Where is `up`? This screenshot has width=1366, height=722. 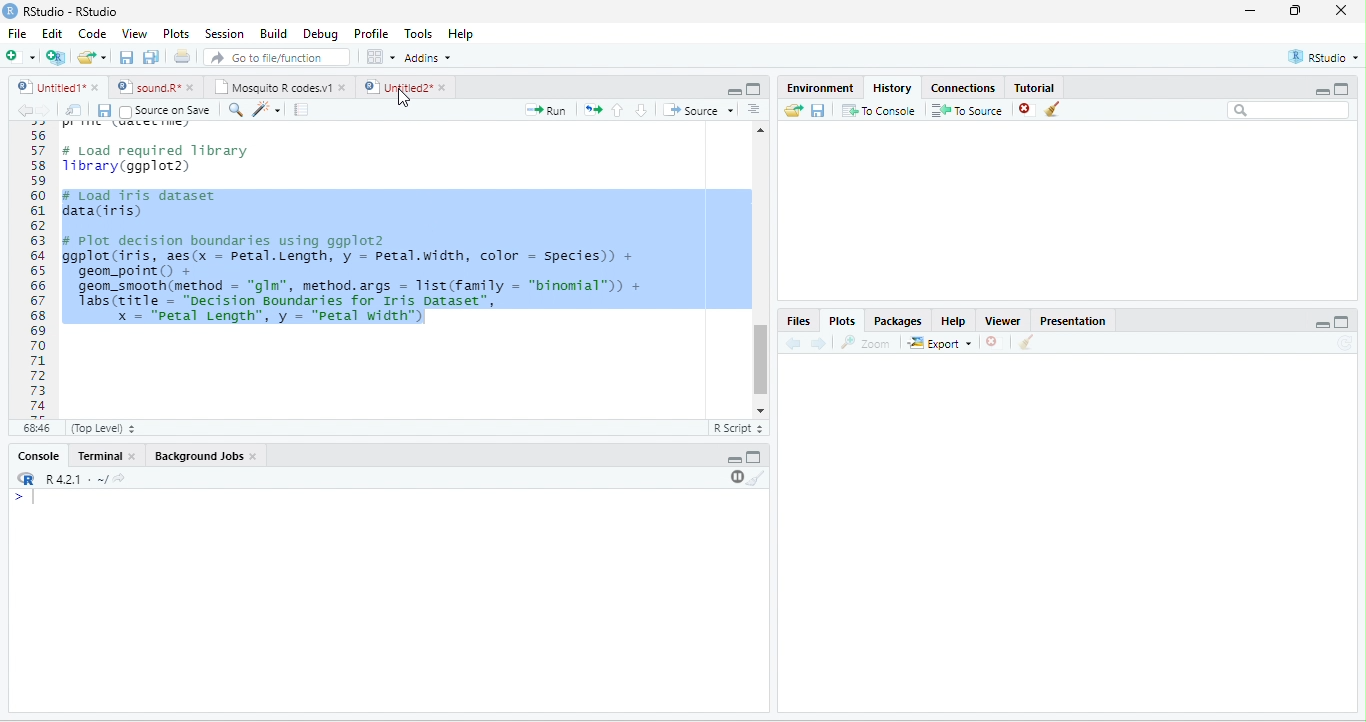
up is located at coordinates (618, 110).